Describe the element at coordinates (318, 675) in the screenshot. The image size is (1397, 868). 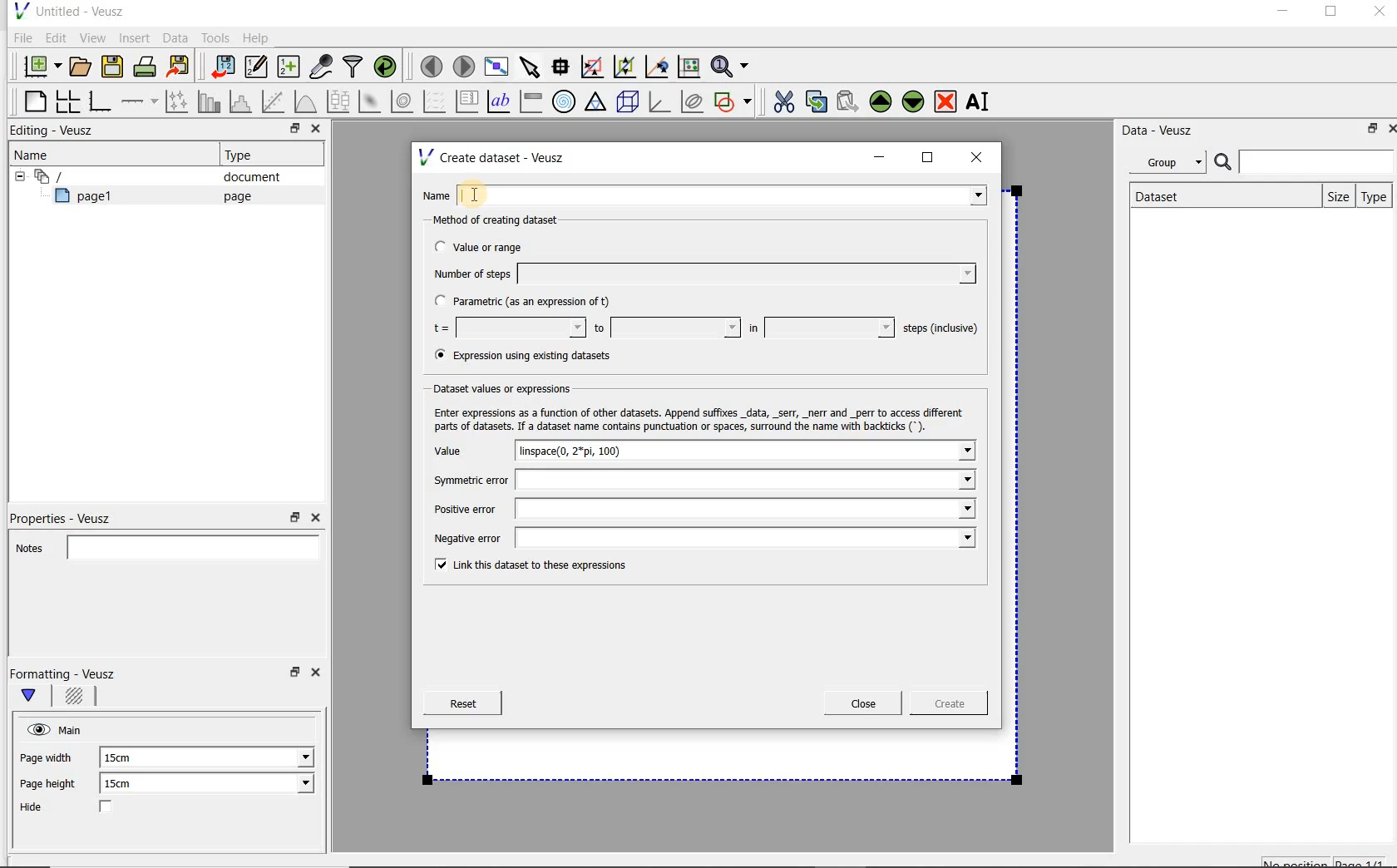
I see `Close` at that location.